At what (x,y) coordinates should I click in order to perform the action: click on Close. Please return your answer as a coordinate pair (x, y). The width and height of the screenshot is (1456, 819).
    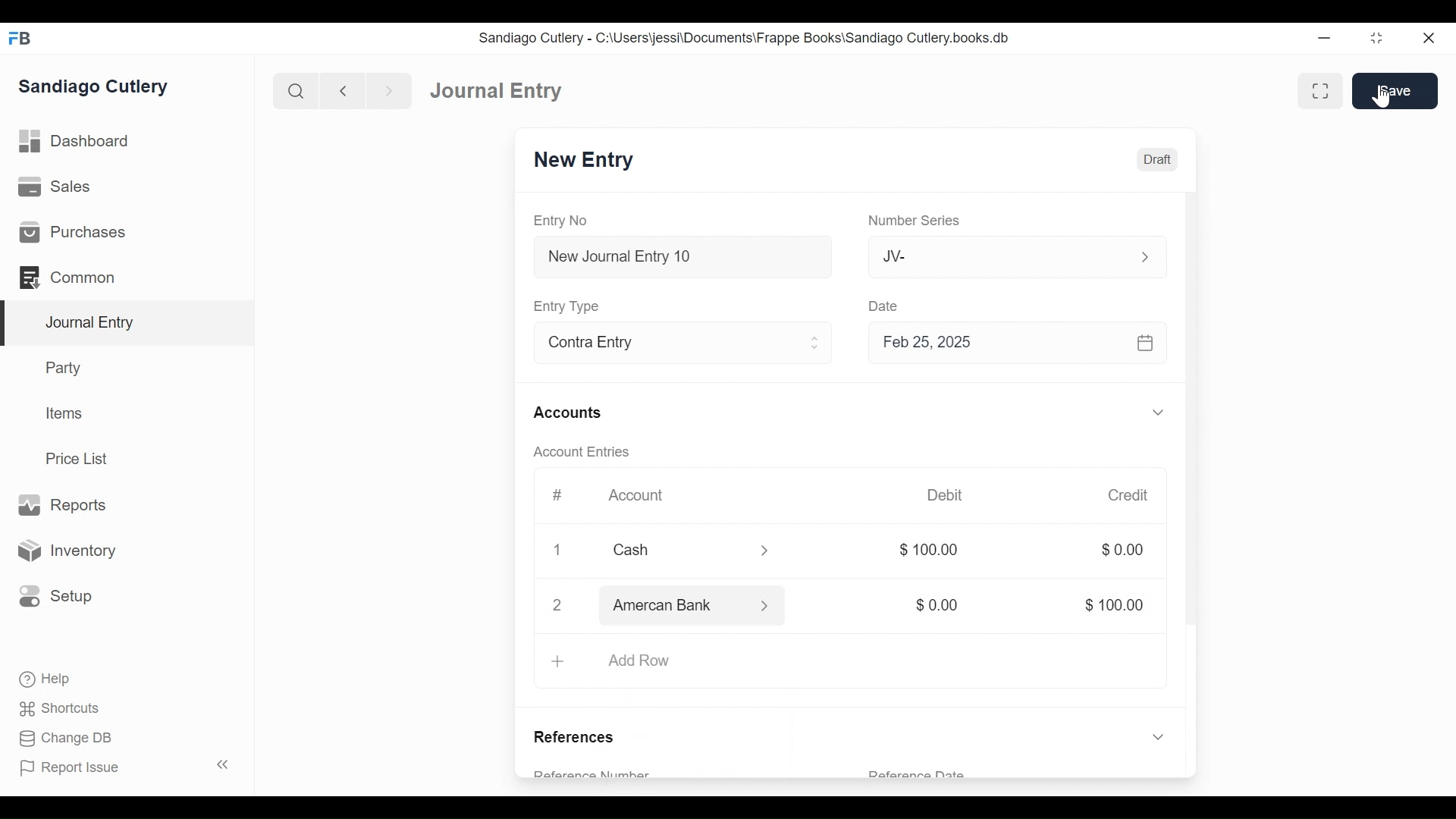
    Looking at the image, I should click on (558, 551).